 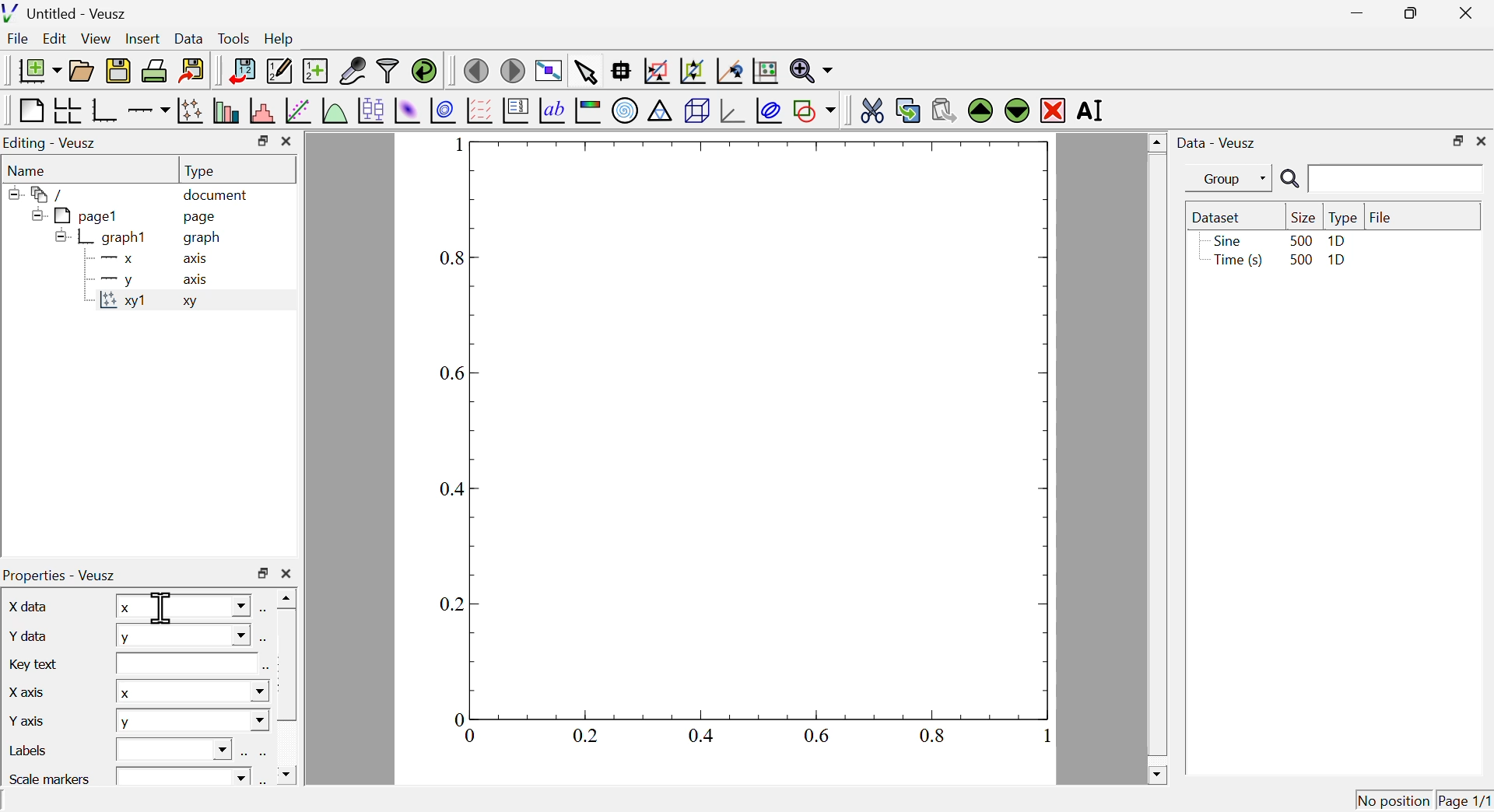 I want to click on new document, so click(x=35, y=70).